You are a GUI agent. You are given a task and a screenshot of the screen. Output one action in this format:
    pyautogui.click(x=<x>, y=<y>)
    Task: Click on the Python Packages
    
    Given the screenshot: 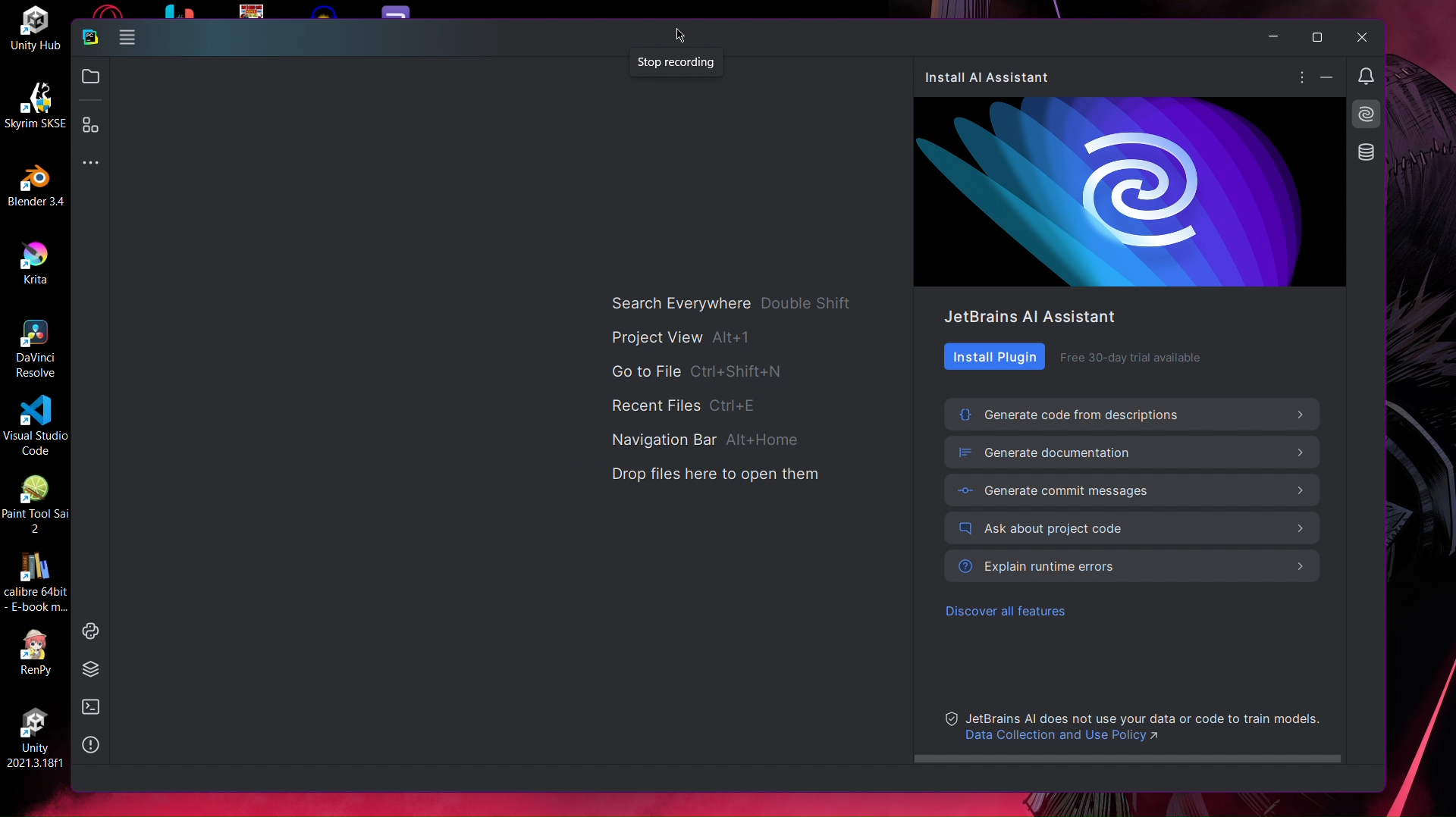 What is the action you would take?
    pyautogui.click(x=92, y=668)
    